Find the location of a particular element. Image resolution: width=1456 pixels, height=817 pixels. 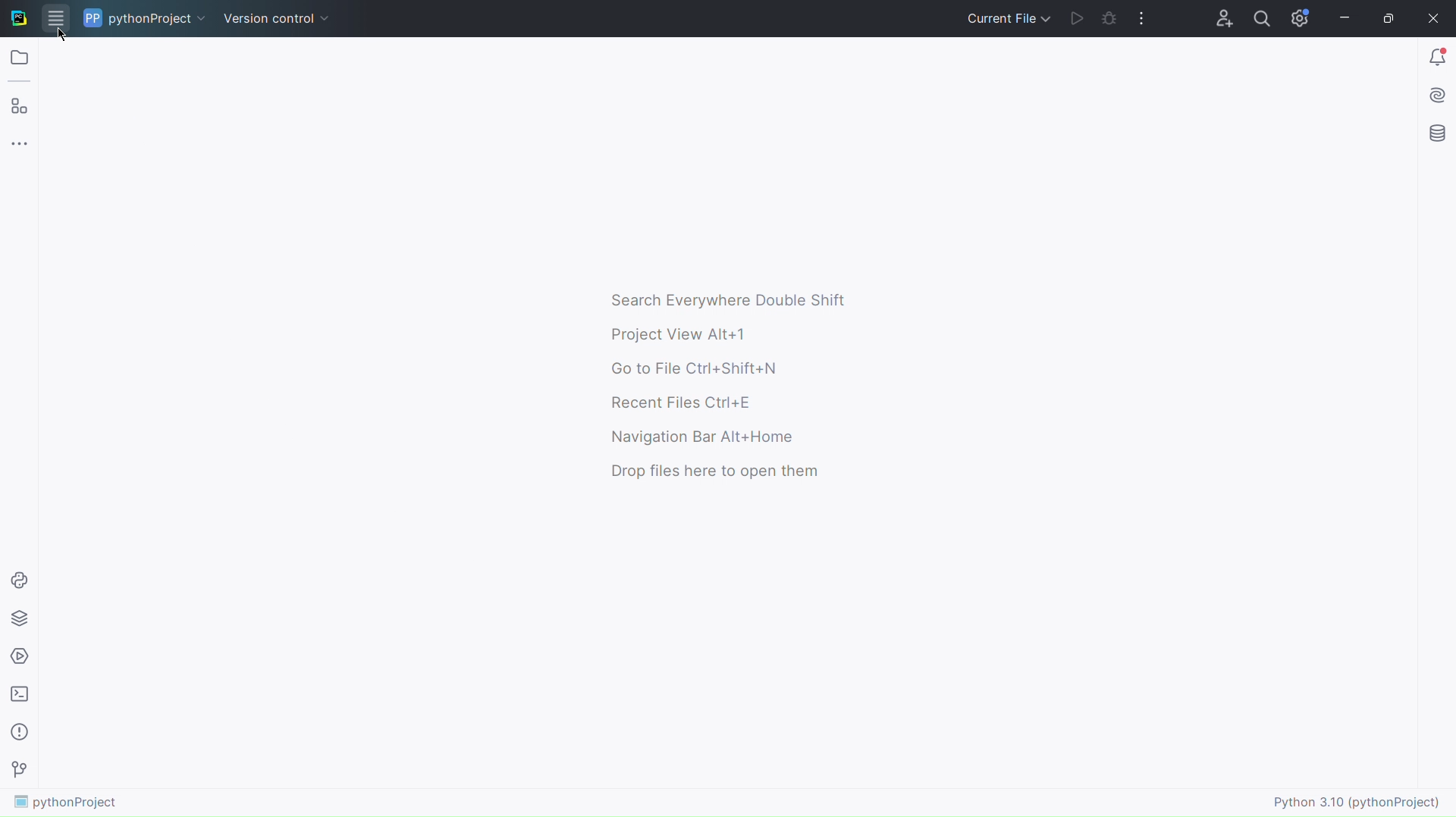

Version Control is located at coordinates (278, 21).